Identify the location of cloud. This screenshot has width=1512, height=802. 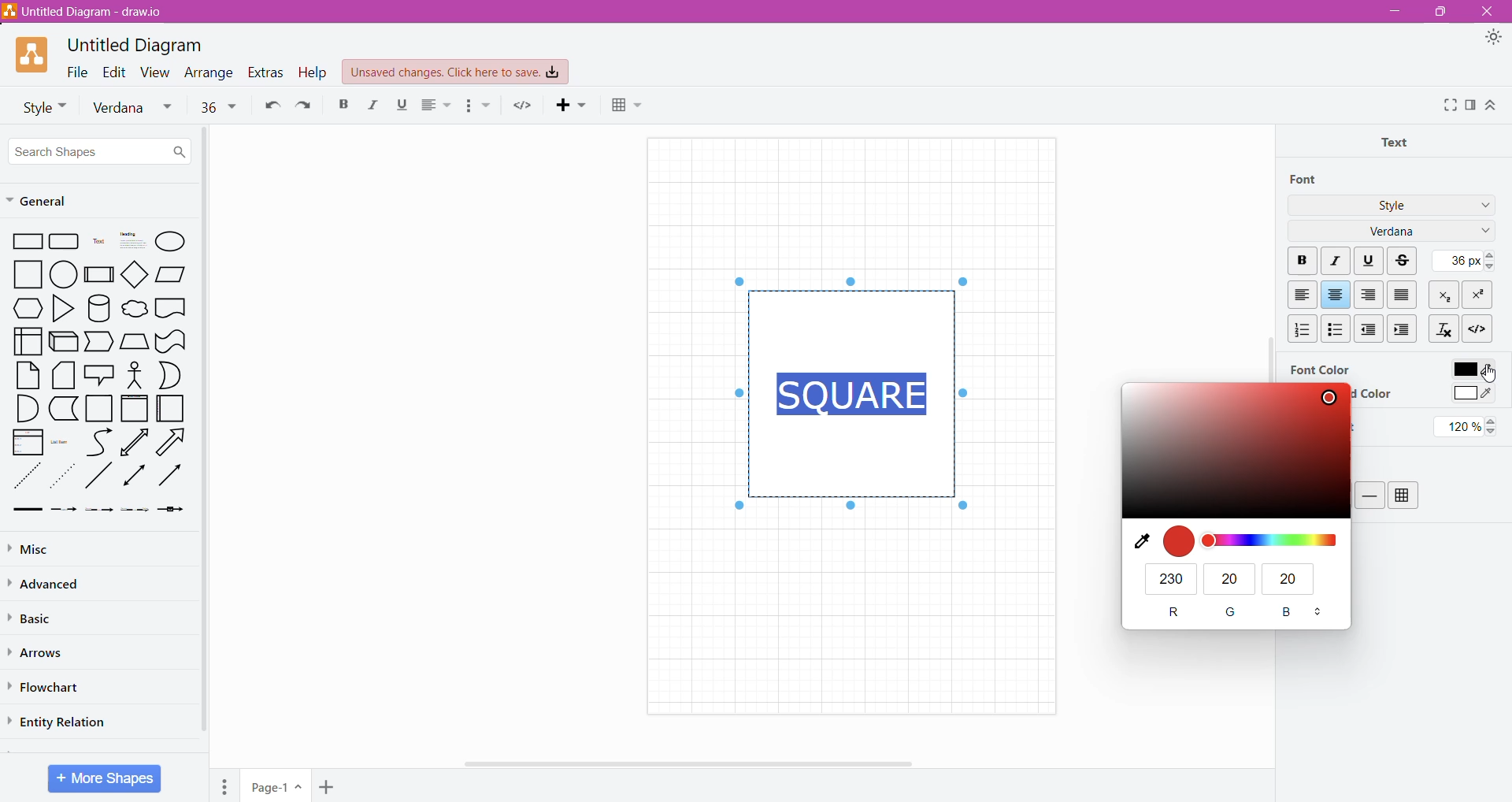
(134, 310).